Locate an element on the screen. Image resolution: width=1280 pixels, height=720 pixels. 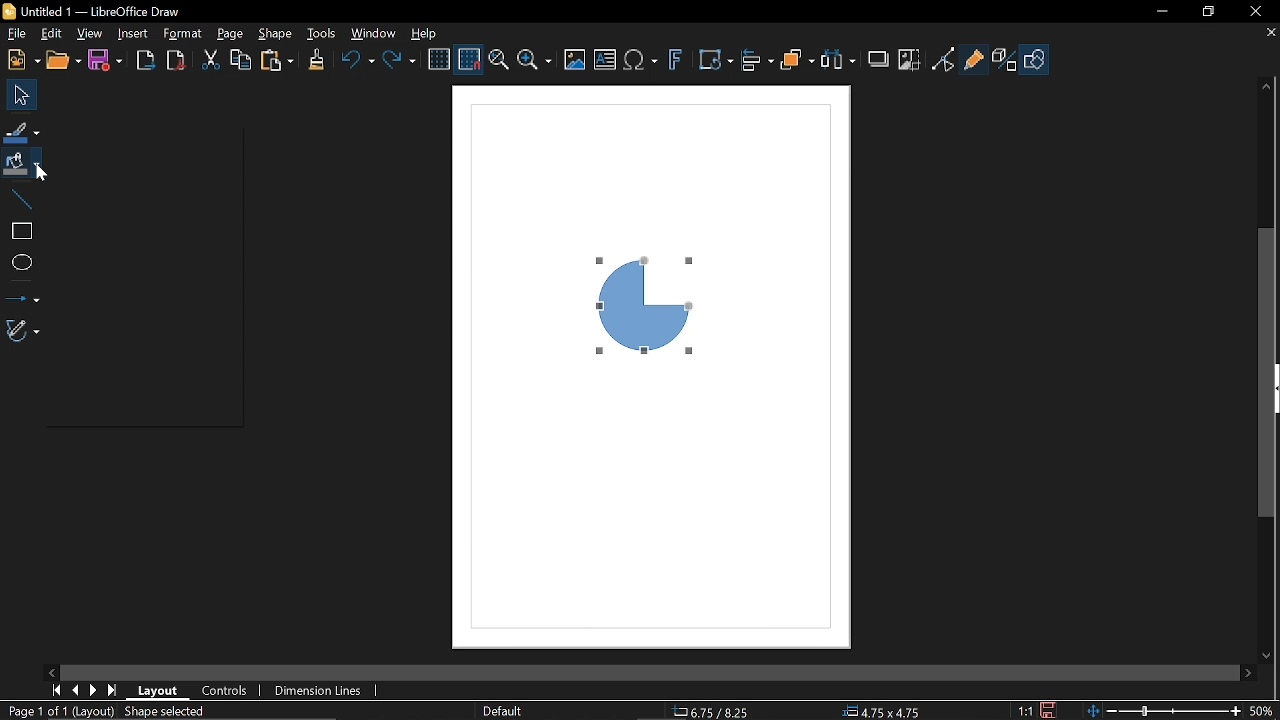
Shape is located at coordinates (275, 35).